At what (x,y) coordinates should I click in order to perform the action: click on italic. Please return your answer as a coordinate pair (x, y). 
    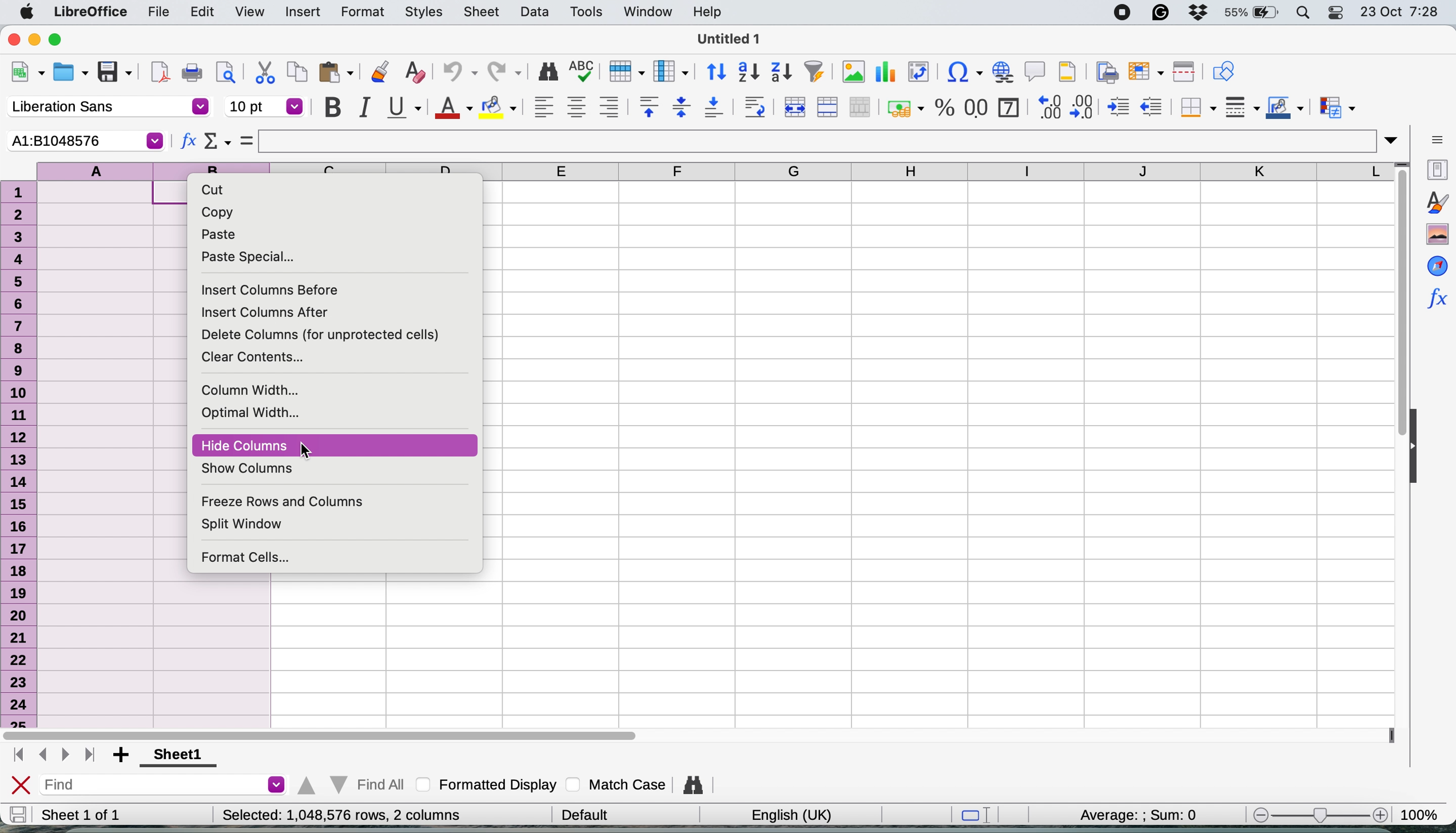
    Looking at the image, I should click on (367, 108).